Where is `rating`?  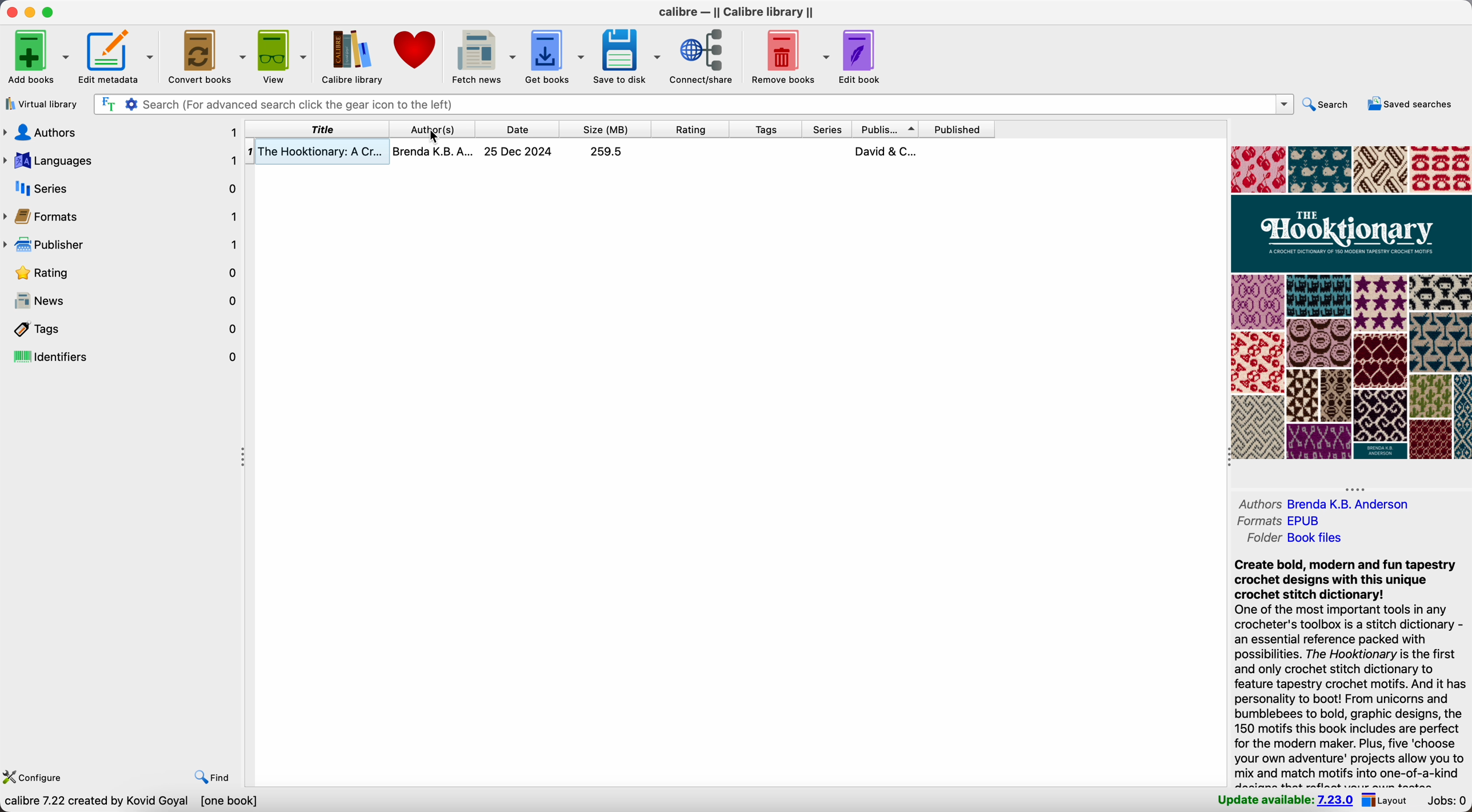 rating is located at coordinates (691, 129).